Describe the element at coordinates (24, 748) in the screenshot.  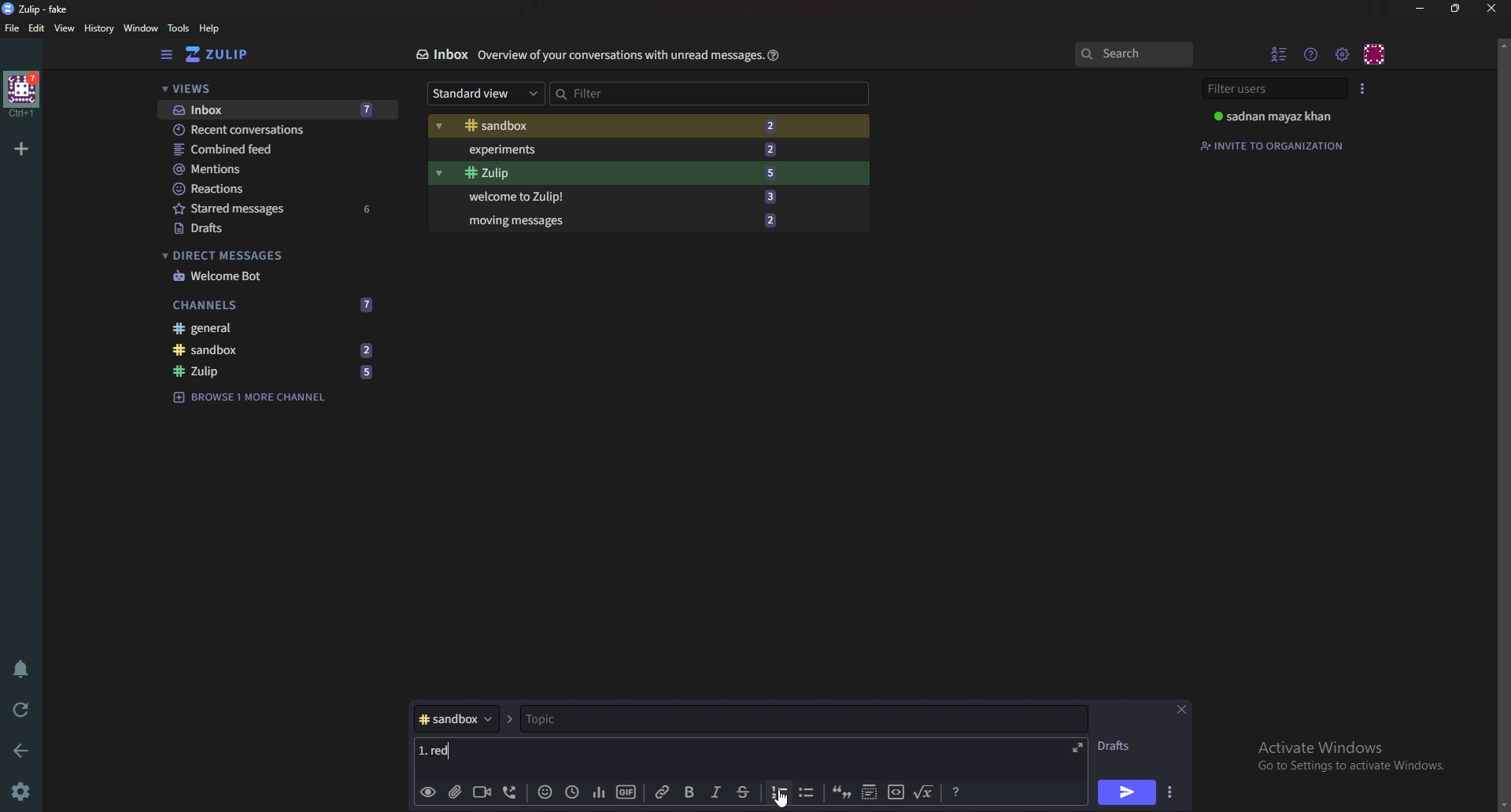
I see `back` at that location.